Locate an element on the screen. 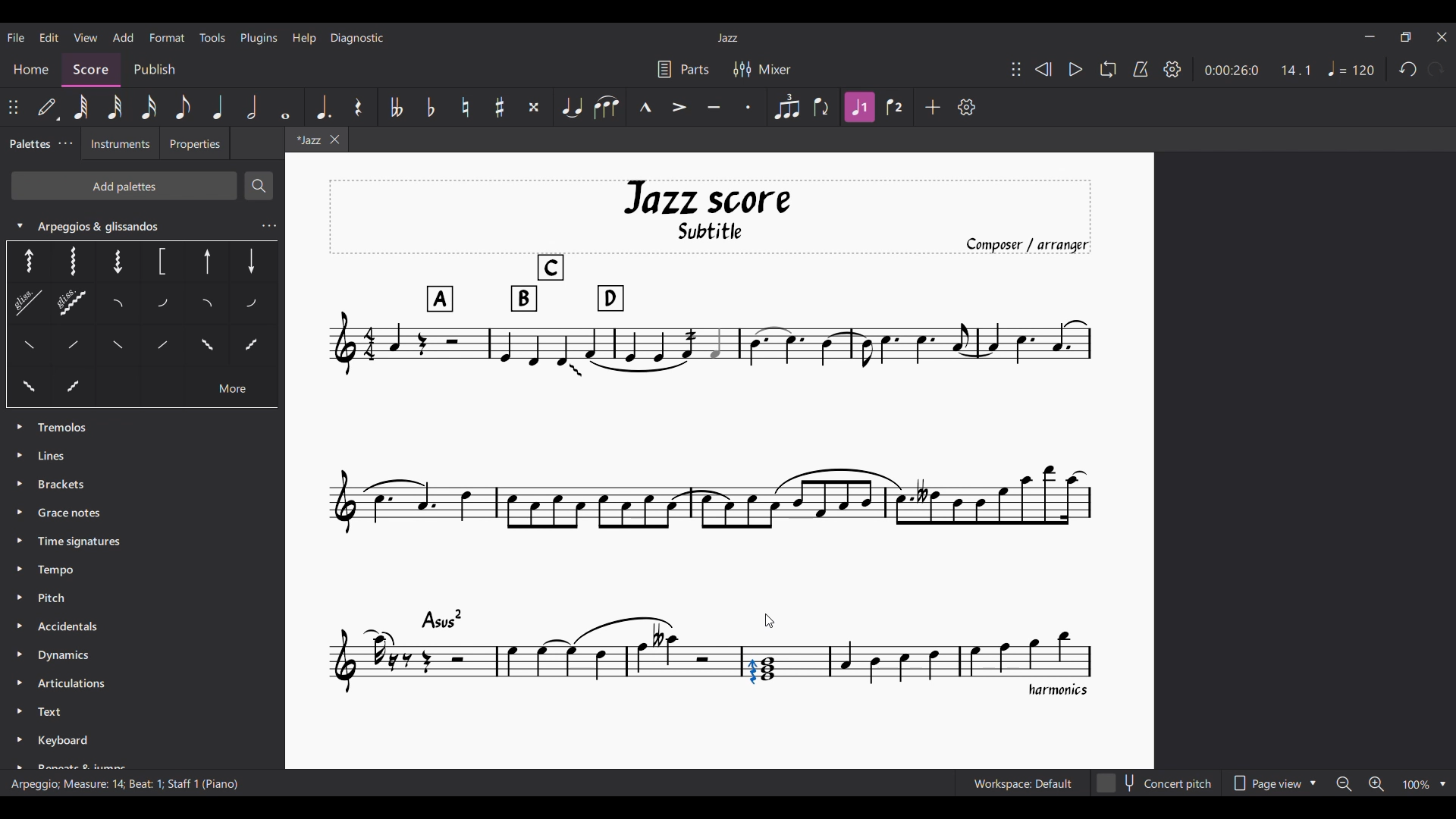 The height and width of the screenshot is (819, 1456). Staccato is located at coordinates (748, 108).